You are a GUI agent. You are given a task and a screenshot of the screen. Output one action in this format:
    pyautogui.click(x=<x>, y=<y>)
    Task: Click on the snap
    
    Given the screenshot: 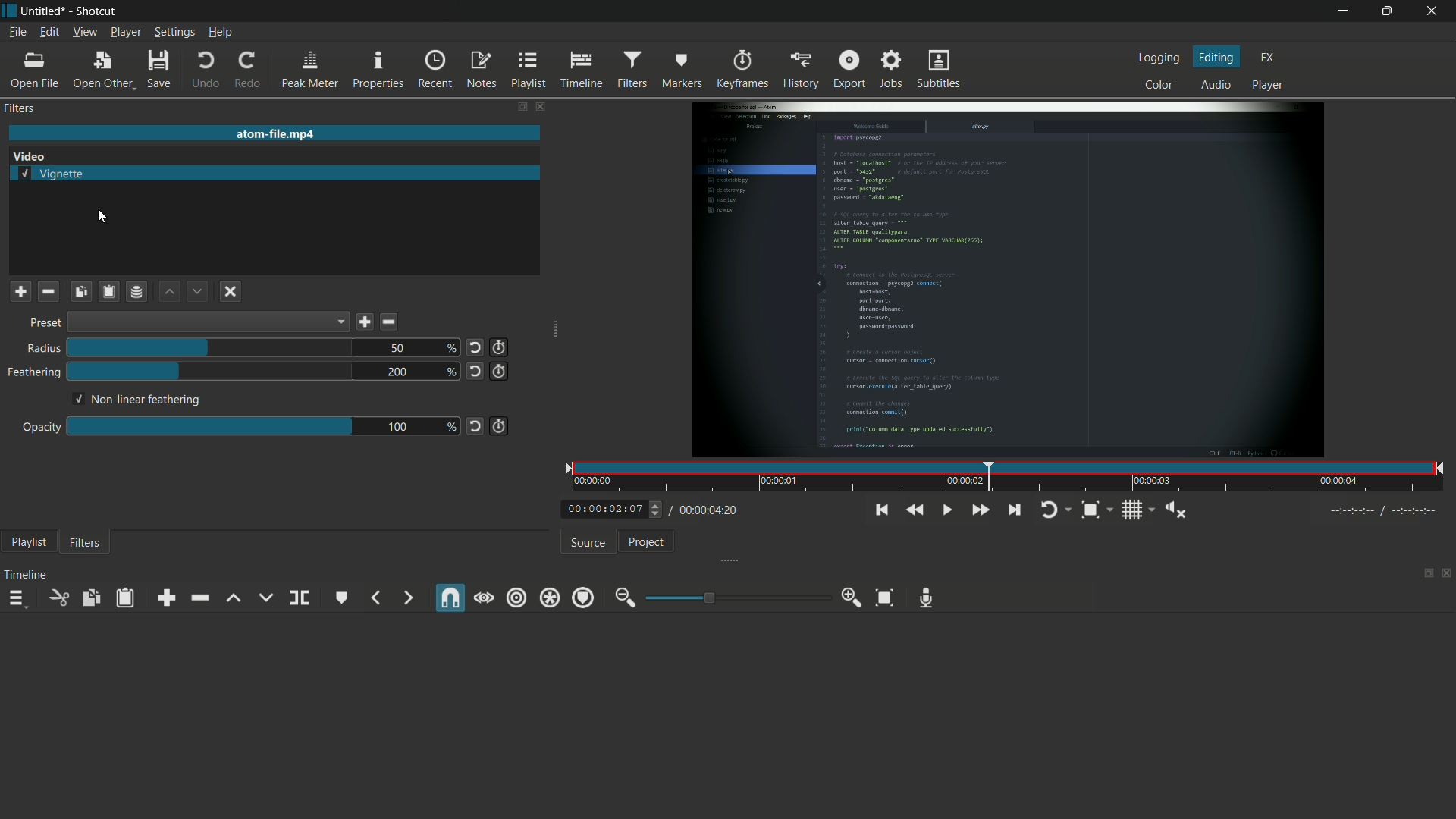 What is the action you would take?
    pyautogui.click(x=451, y=598)
    